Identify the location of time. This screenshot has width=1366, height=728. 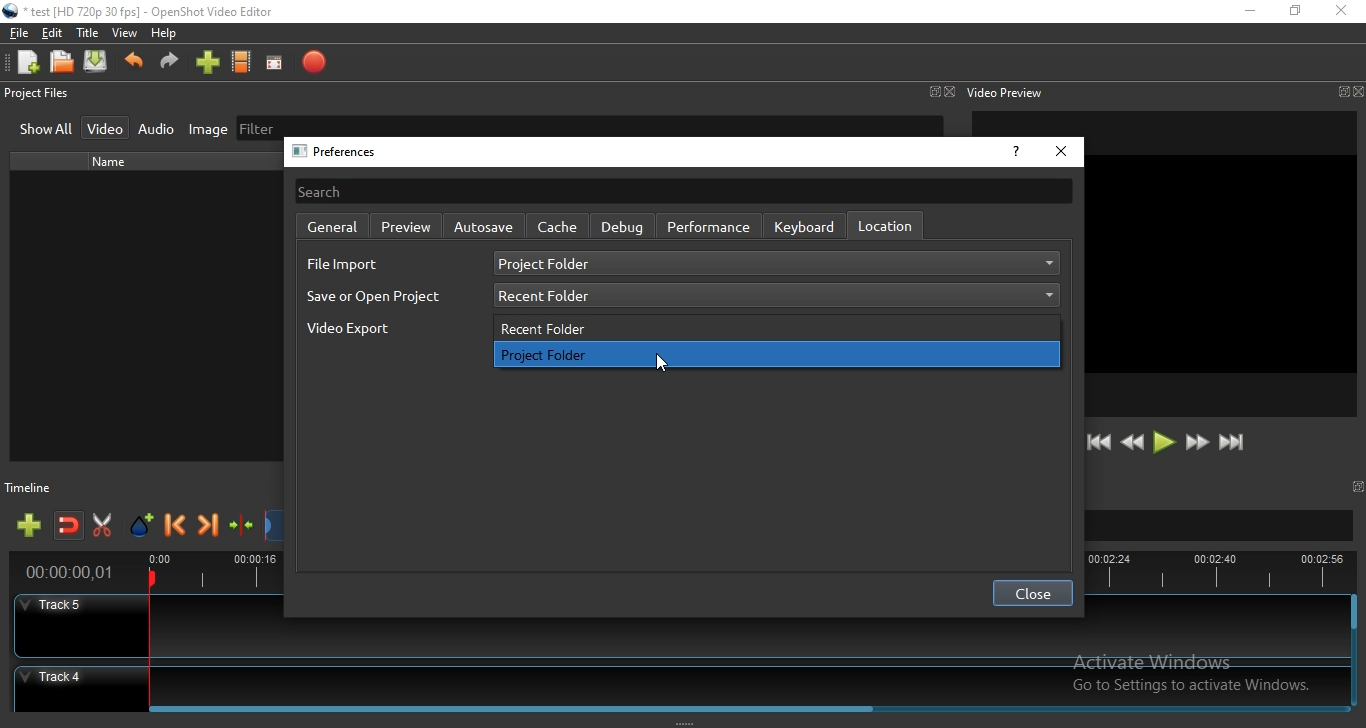
(65, 574).